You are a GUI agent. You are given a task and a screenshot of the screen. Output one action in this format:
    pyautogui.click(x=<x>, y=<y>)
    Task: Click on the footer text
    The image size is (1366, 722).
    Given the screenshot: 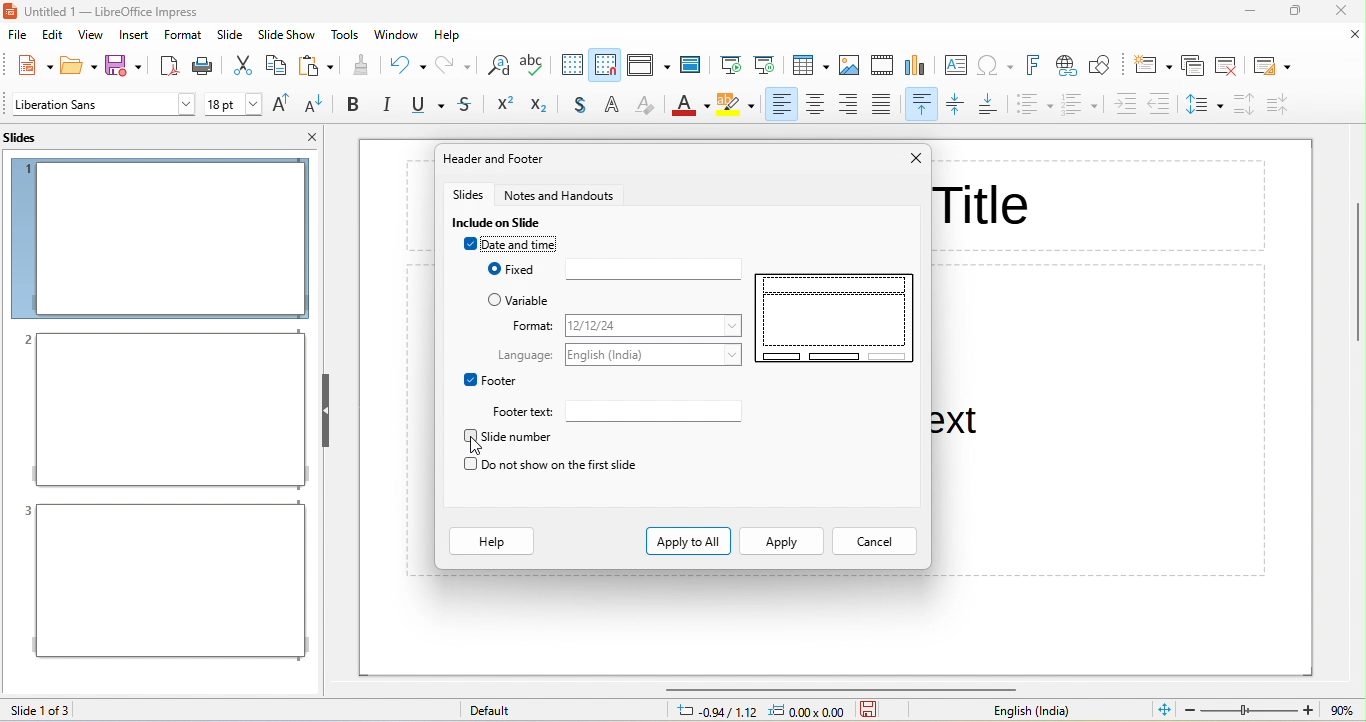 What is the action you would take?
    pyautogui.click(x=653, y=410)
    